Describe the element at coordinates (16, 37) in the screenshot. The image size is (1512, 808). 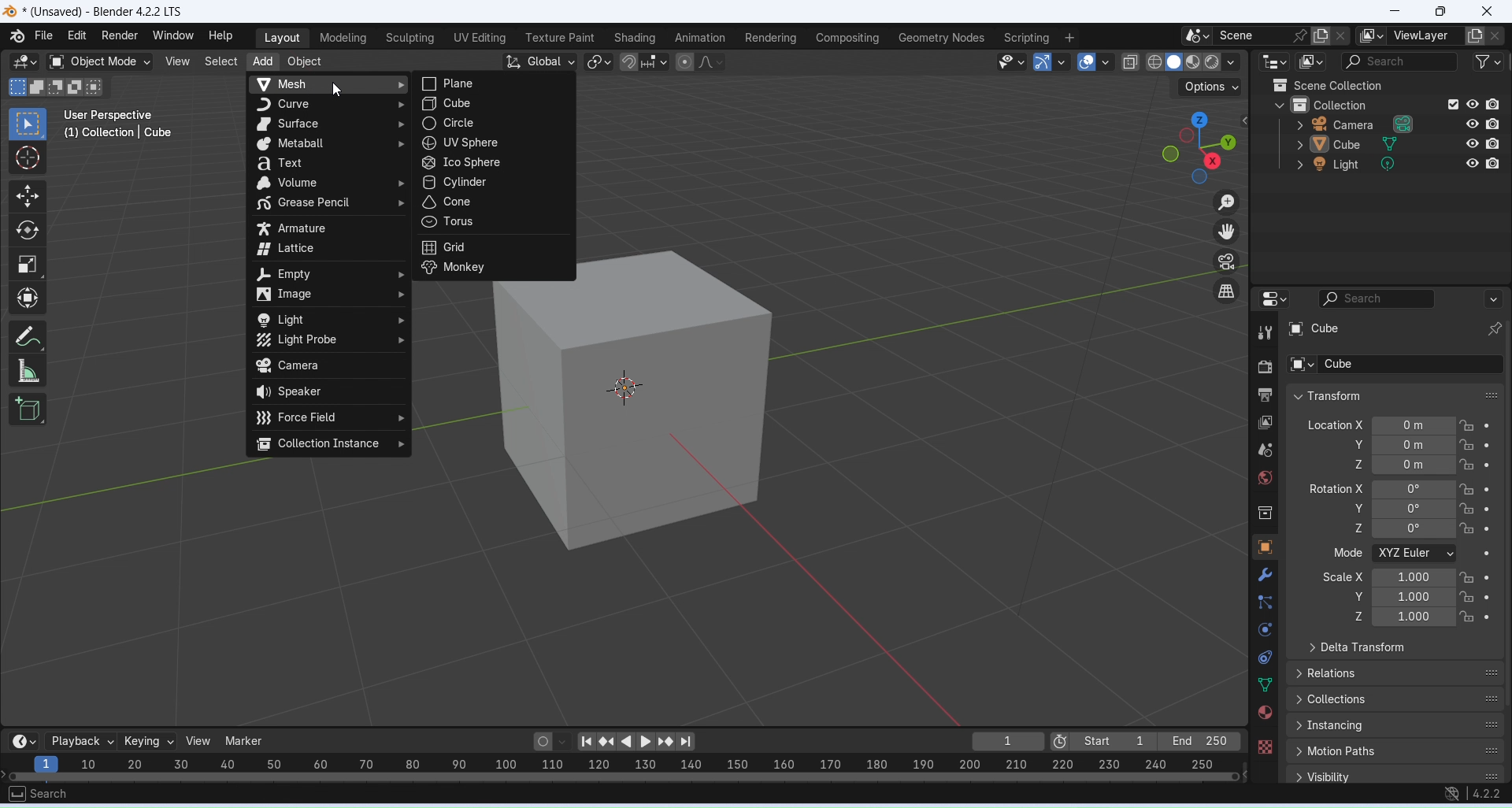
I see `Logo` at that location.